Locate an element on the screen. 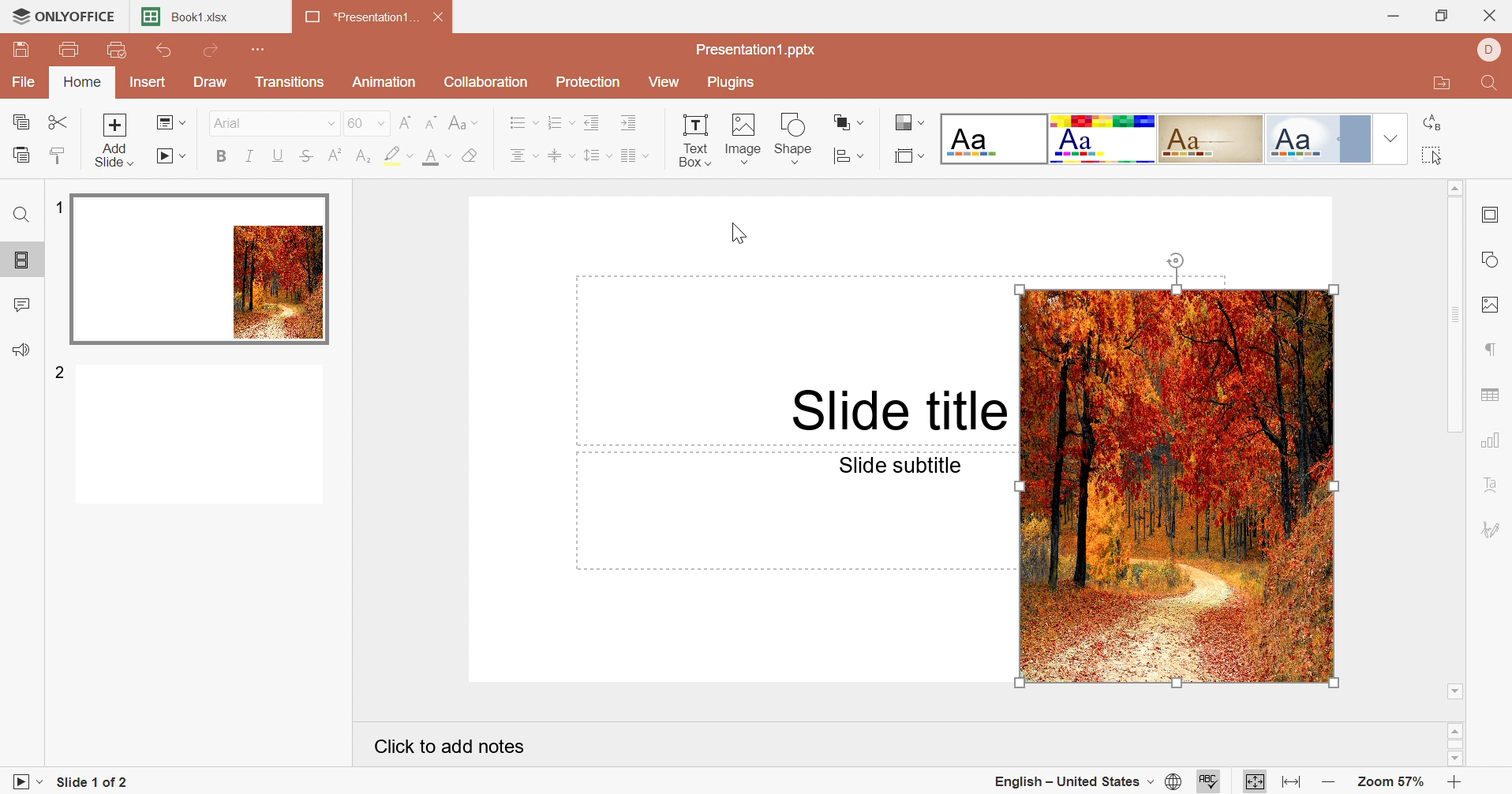 This screenshot has width=1512, height=794. Replace is located at coordinates (1433, 121).